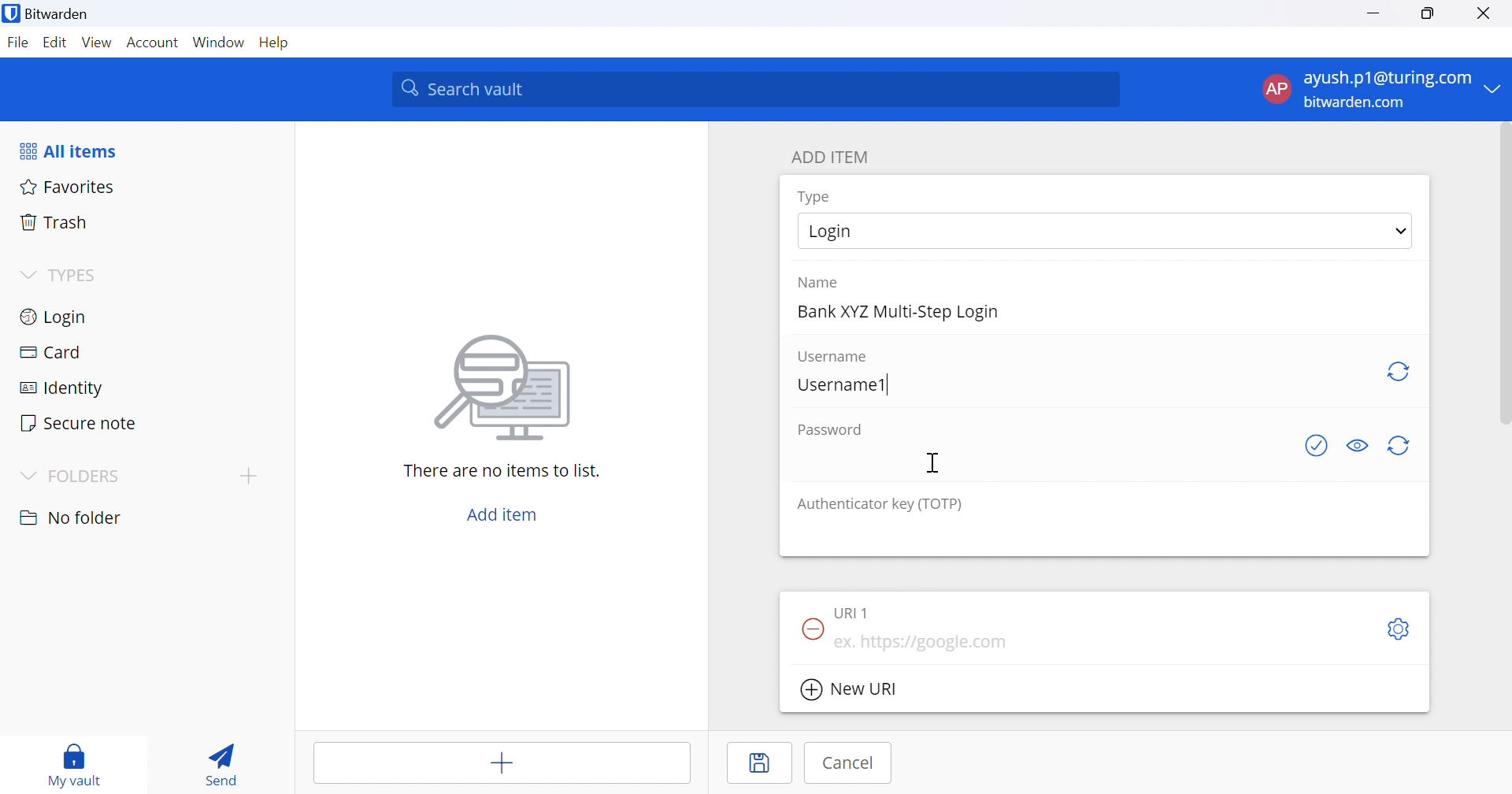  I want to click on No folder, so click(72, 518).